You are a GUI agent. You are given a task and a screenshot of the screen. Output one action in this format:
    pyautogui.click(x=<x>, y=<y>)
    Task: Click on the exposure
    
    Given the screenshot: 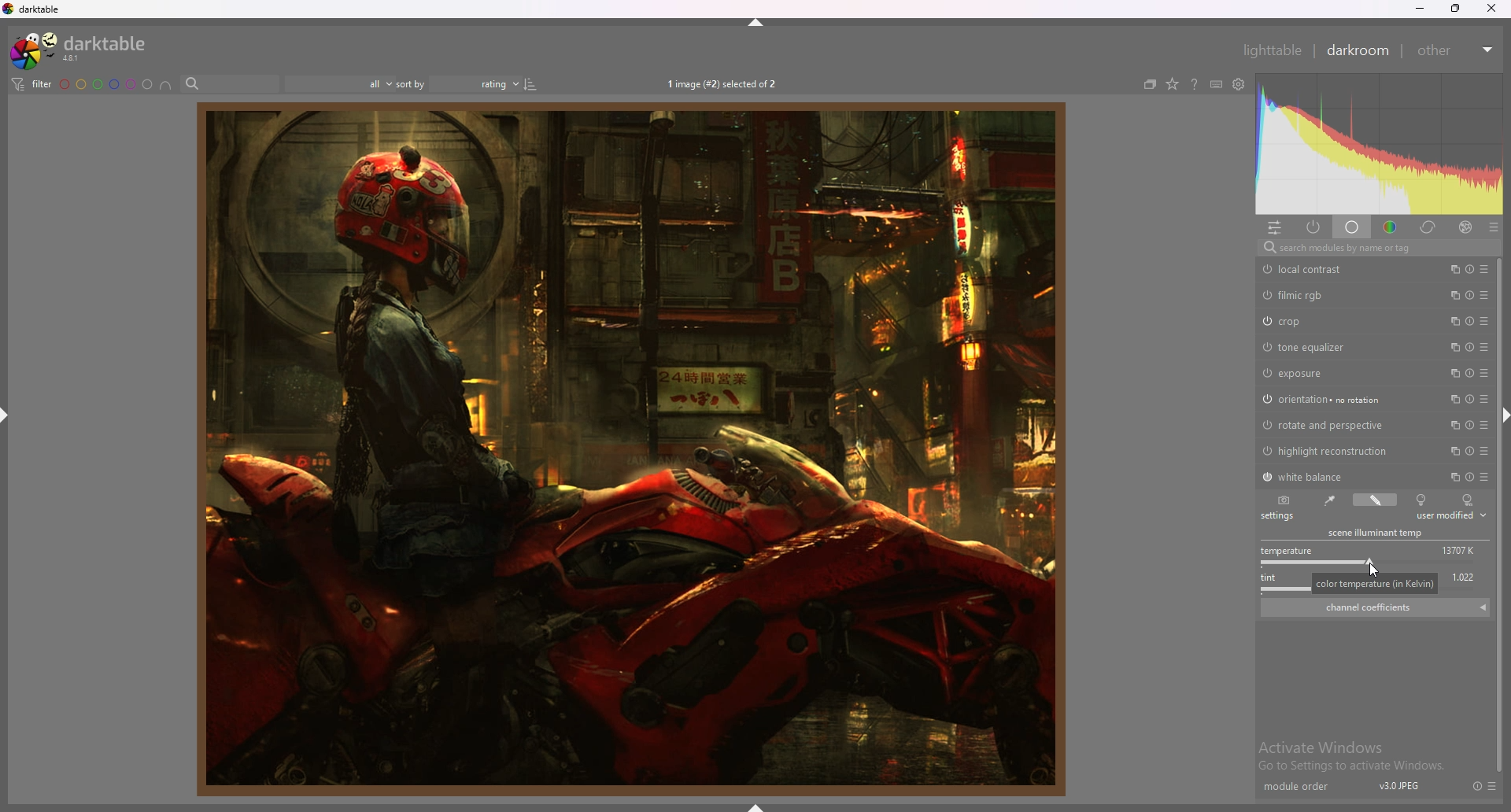 What is the action you would take?
    pyautogui.click(x=1317, y=373)
    